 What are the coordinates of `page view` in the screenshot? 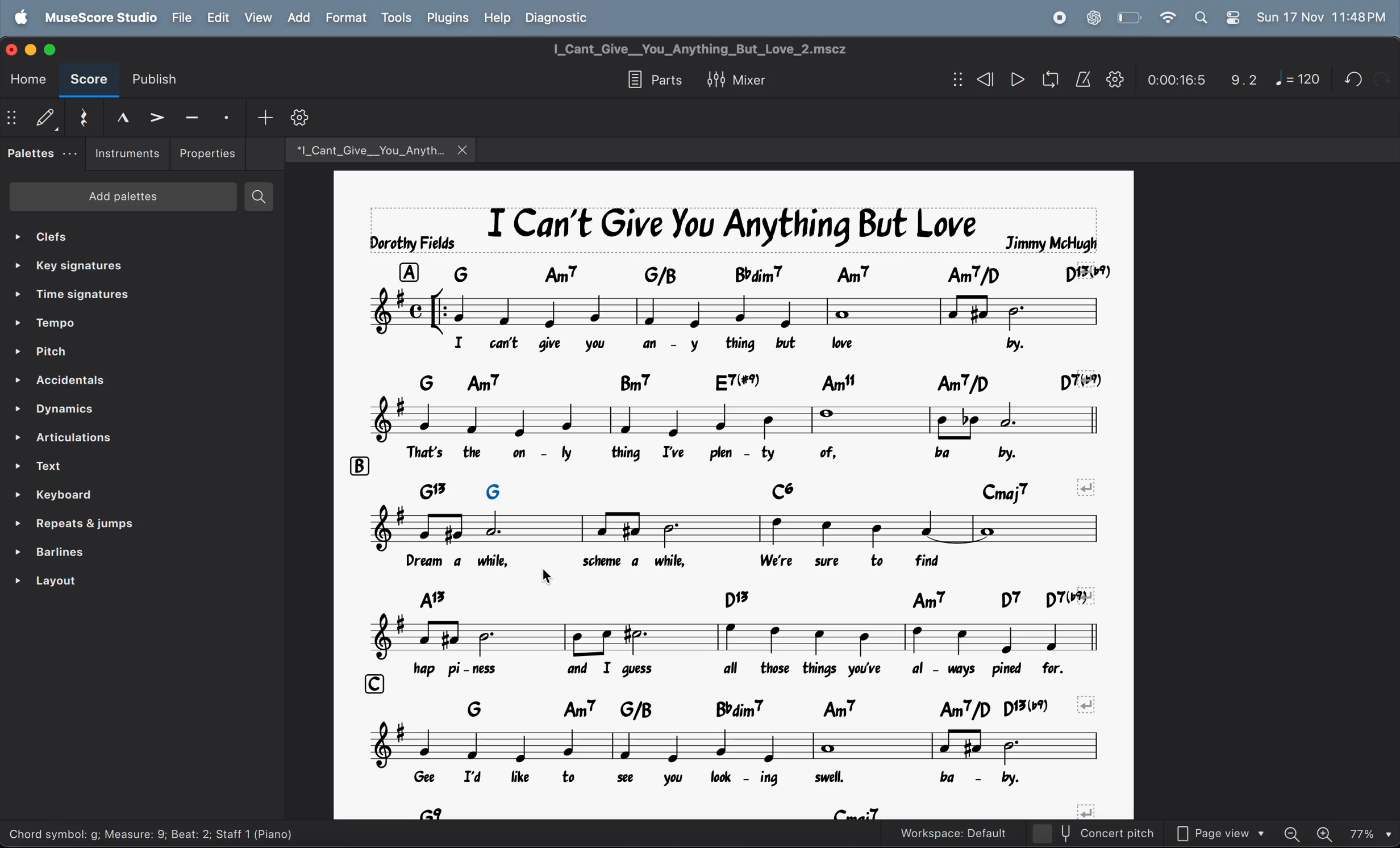 It's located at (1220, 833).